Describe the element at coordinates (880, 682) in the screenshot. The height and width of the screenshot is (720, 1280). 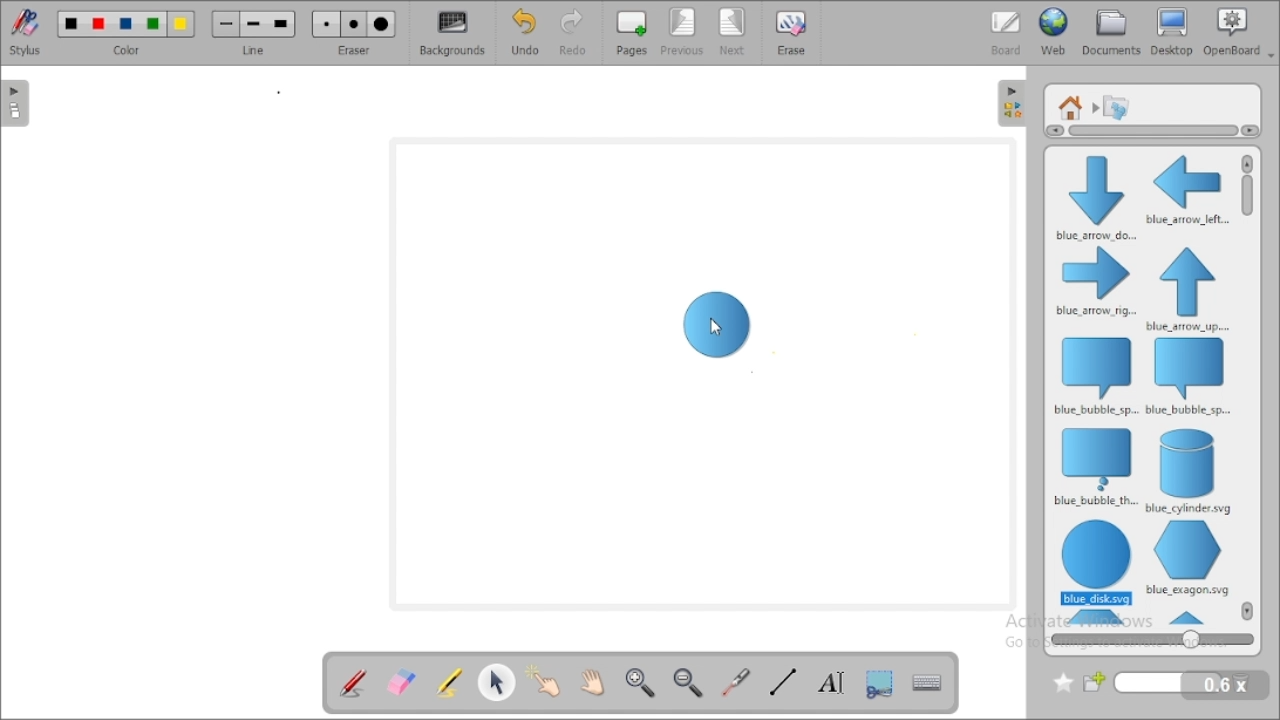
I see `capture part of the screen` at that location.